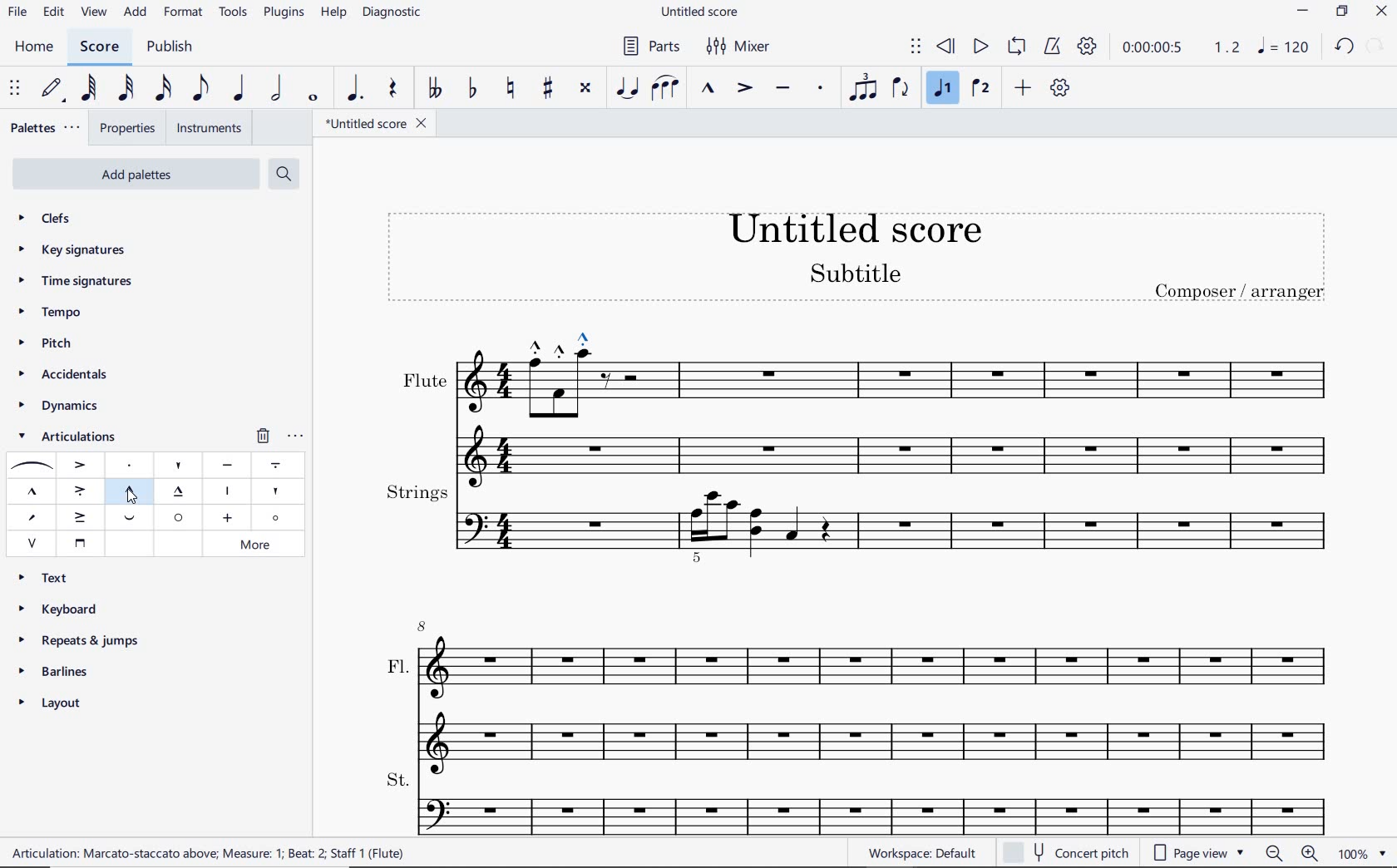 This screenshot has width=1397, height=868. What do you see at coordinates (62, 376) in the screenshot?
I see `accidentals` at bounding box center [62, 376].